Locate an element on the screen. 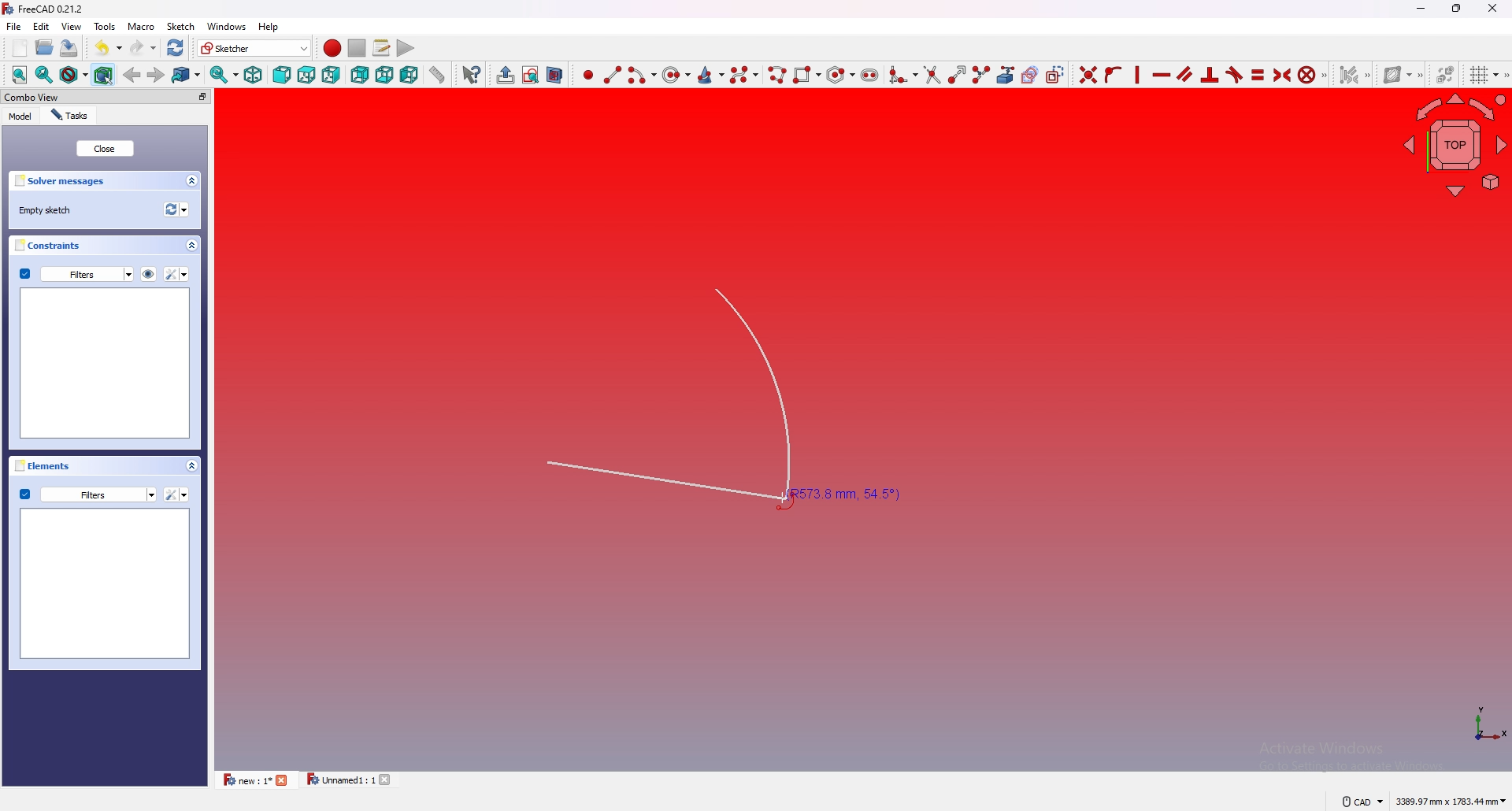  new : 1* is located at coordinates (246, 780).